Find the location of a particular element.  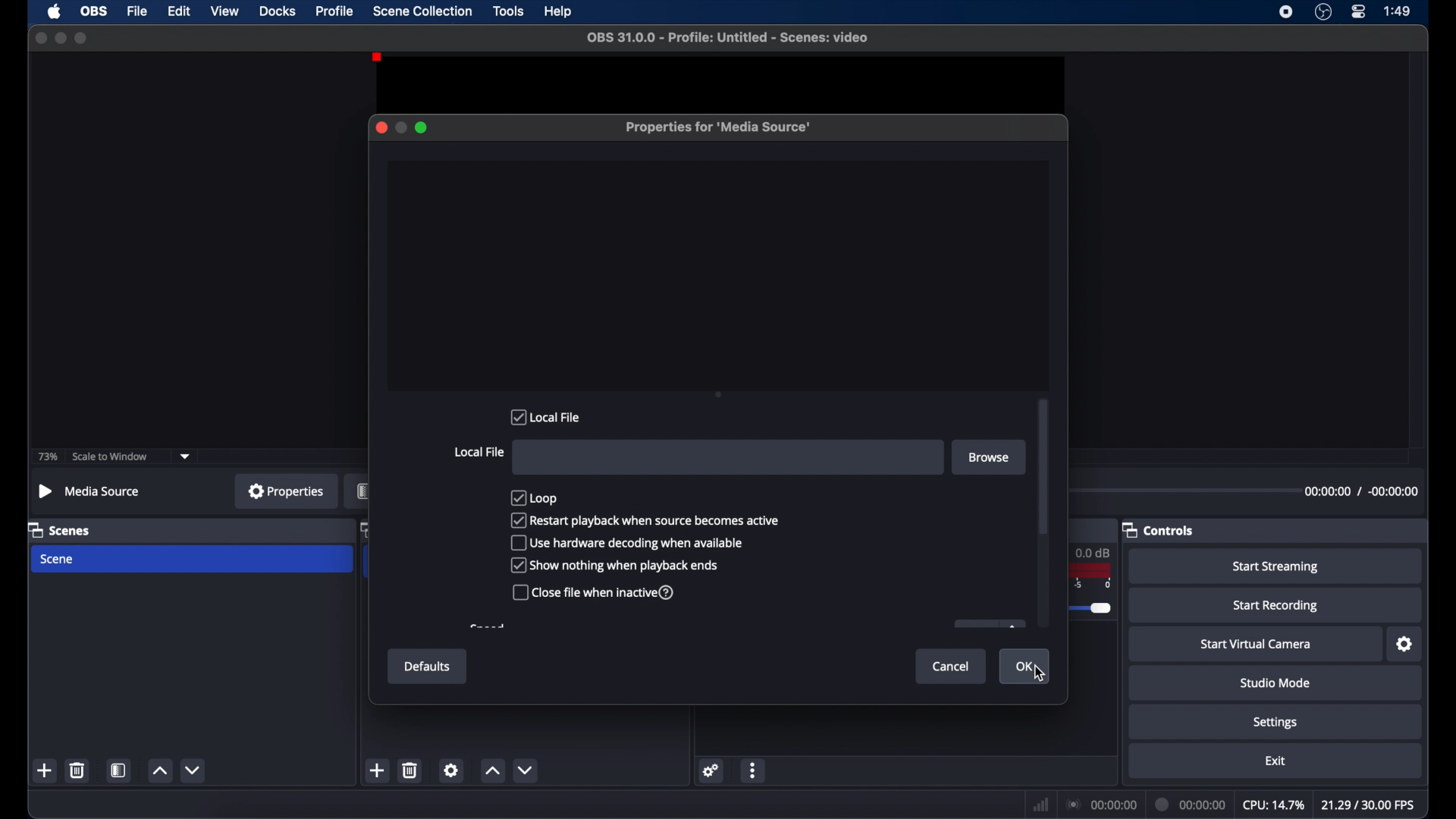

scenes is located at coordinates (60, 529).